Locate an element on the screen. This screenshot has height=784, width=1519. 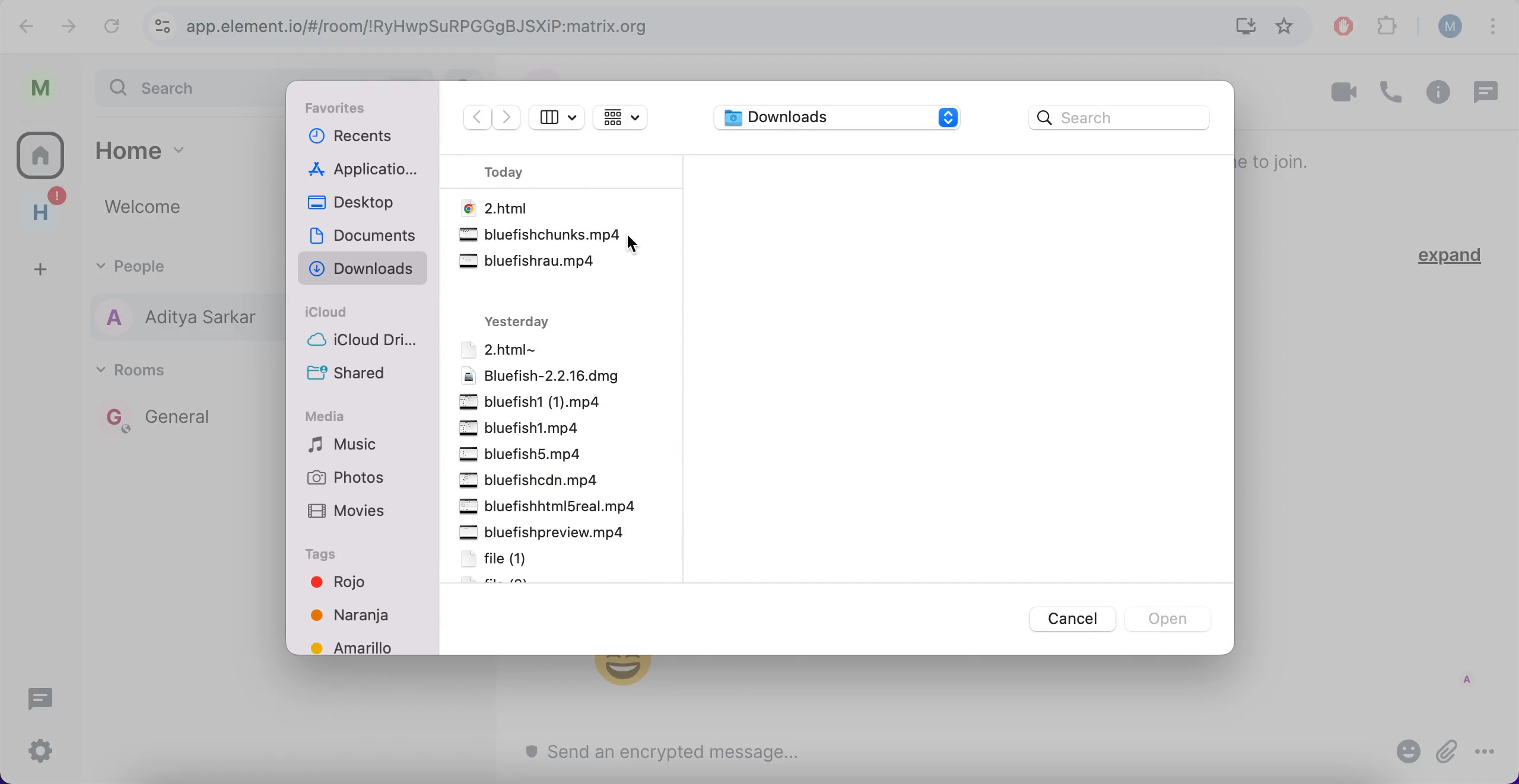
favorites is located at coordinates (342, 107).